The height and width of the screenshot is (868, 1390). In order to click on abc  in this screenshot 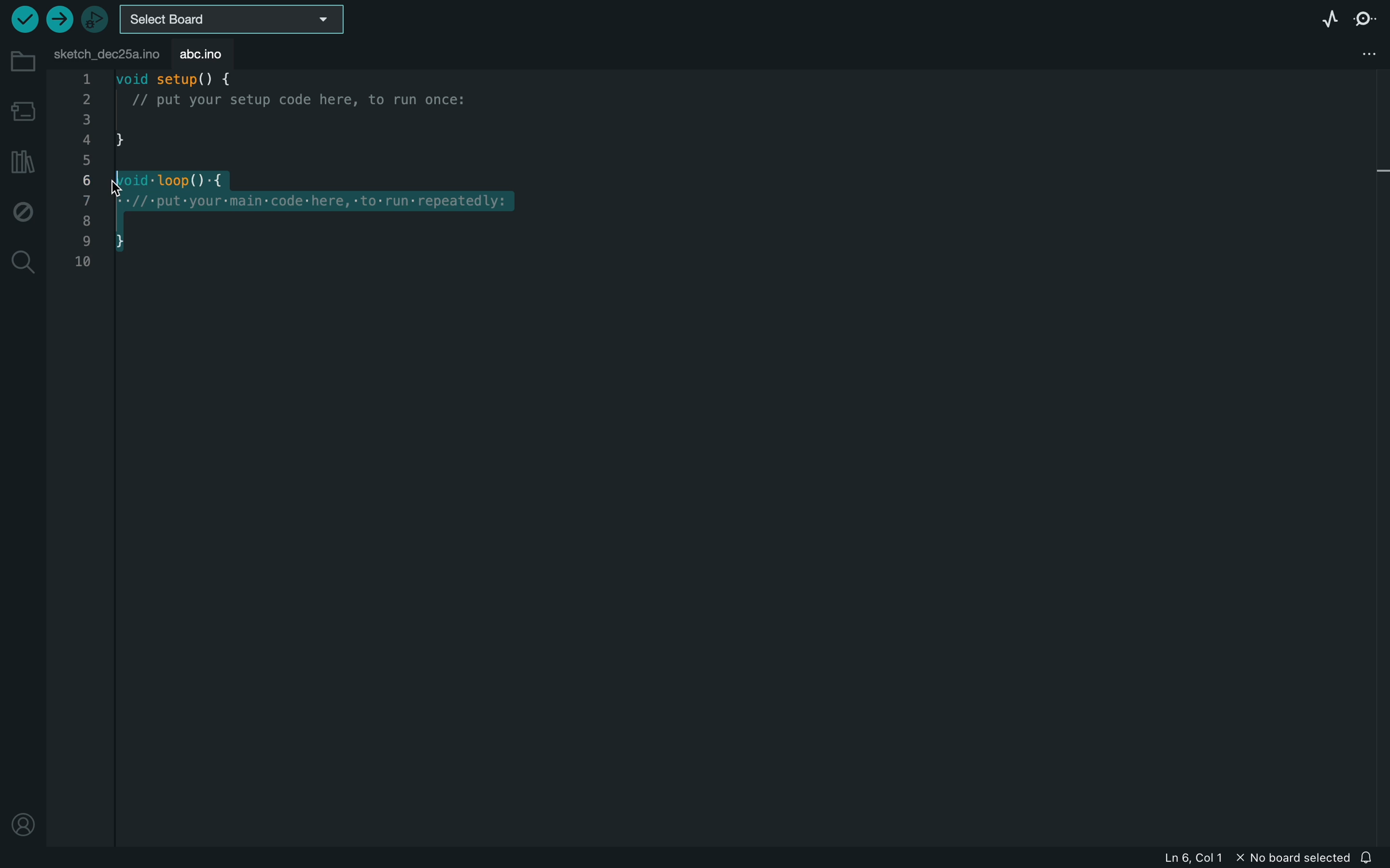, I will do `click(201, 52)`.